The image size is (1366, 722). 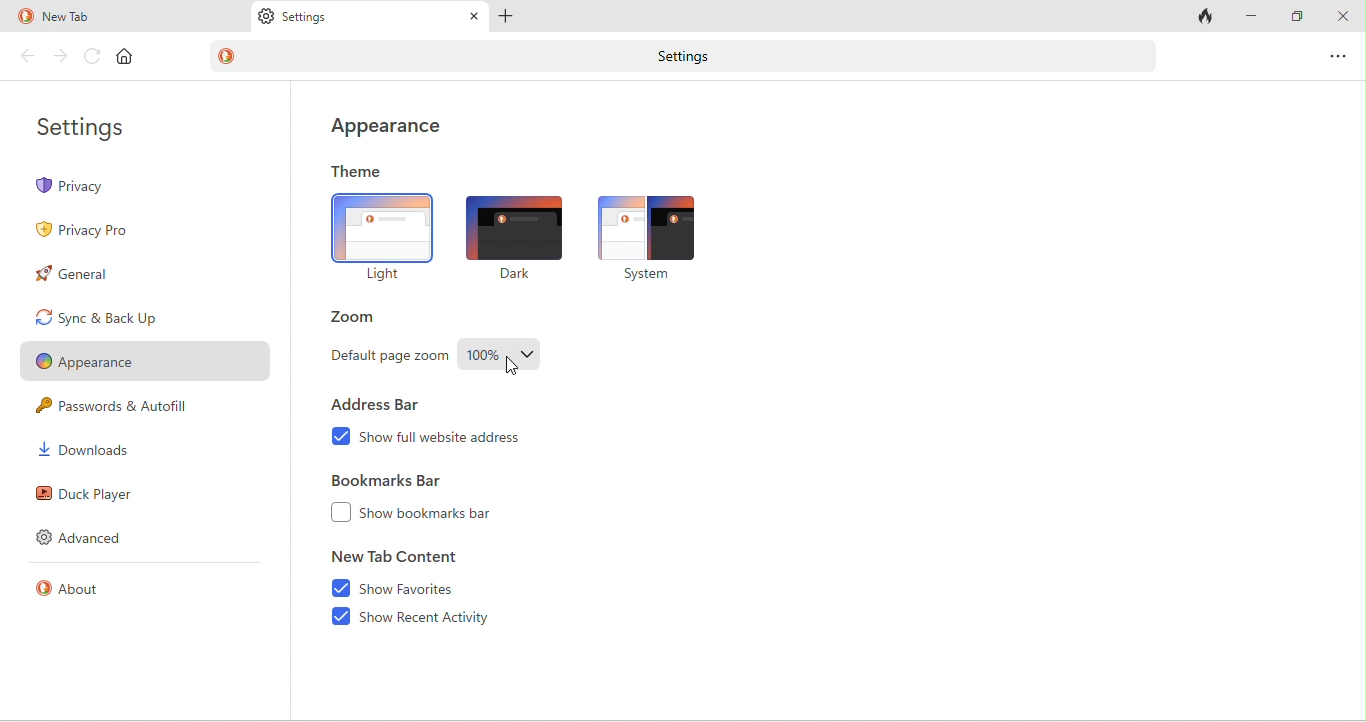 I want to click on System, so click(x=646, y=276).